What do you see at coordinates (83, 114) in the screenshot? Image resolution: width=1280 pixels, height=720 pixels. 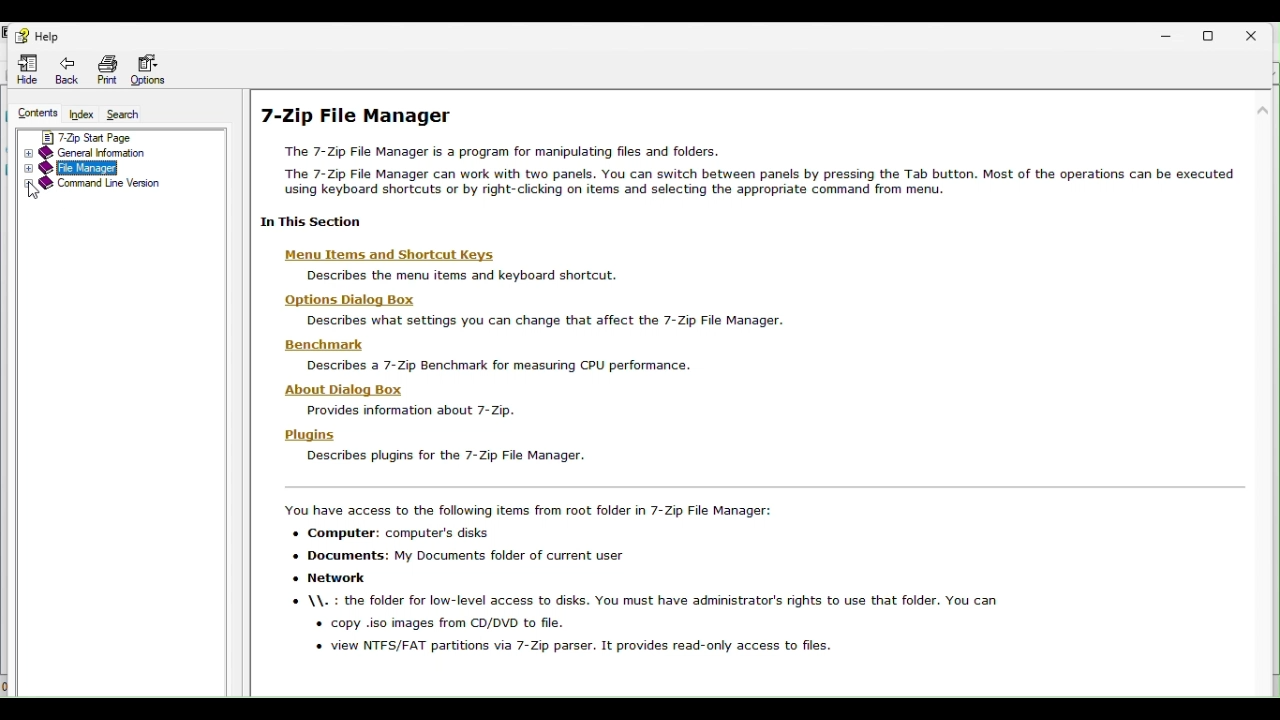 I see `Index ` at bounding box center [83, 114].